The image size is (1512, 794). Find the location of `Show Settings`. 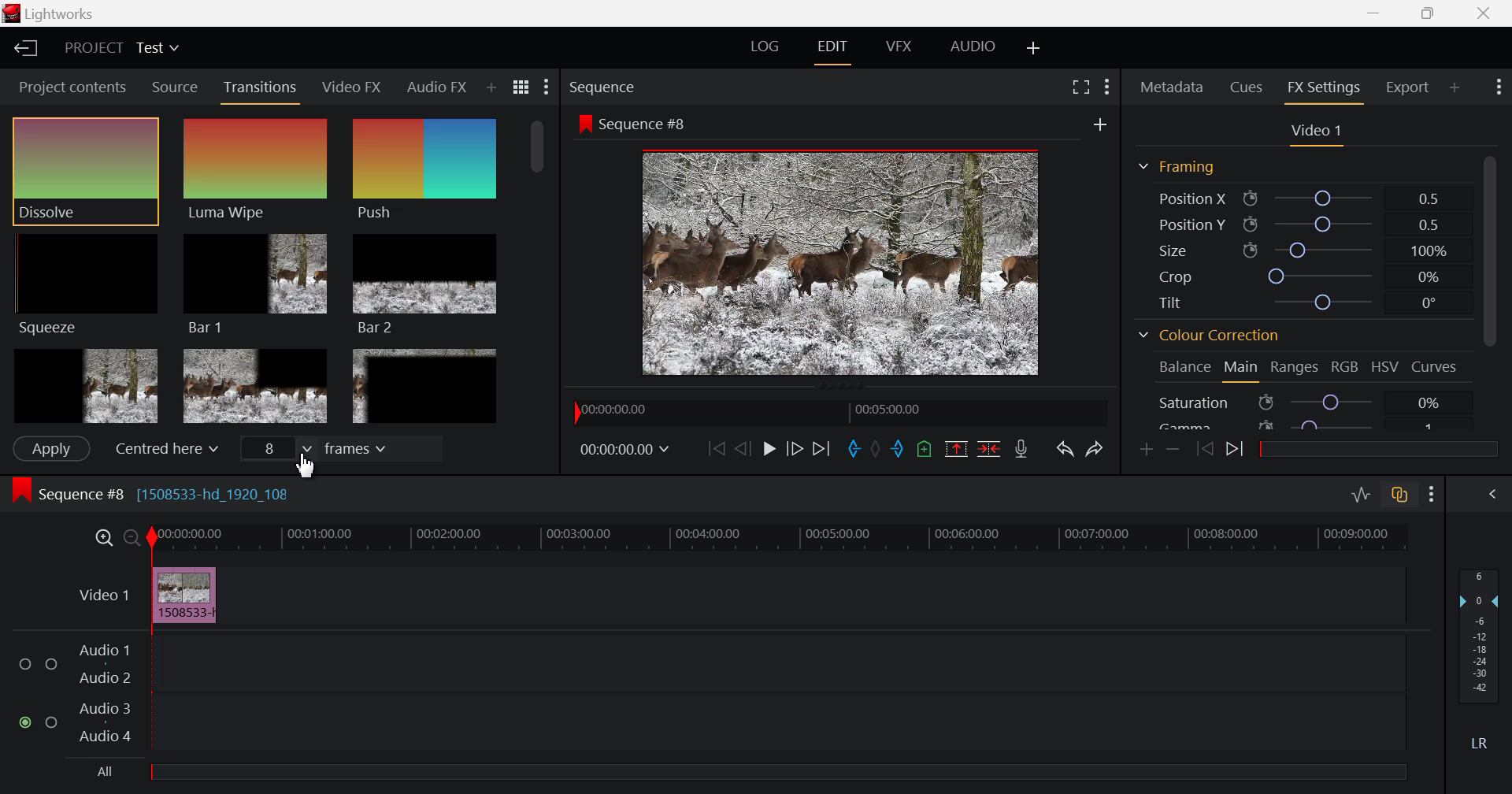

Show Settings is located at coordinates (1498, 87).